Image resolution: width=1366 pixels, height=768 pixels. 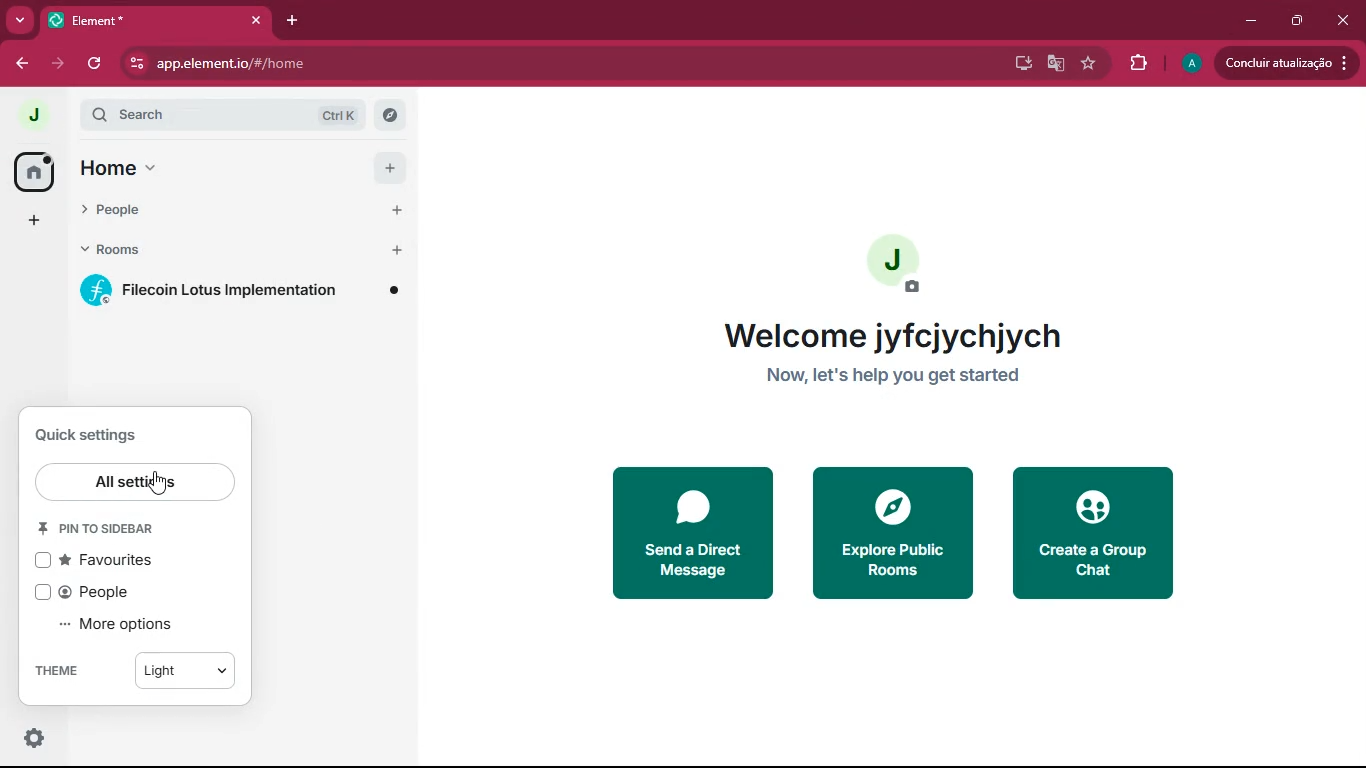 What do you see at coordinates (20, 19) in the screenshot?
I see `more` at bounding box center [20, 19].